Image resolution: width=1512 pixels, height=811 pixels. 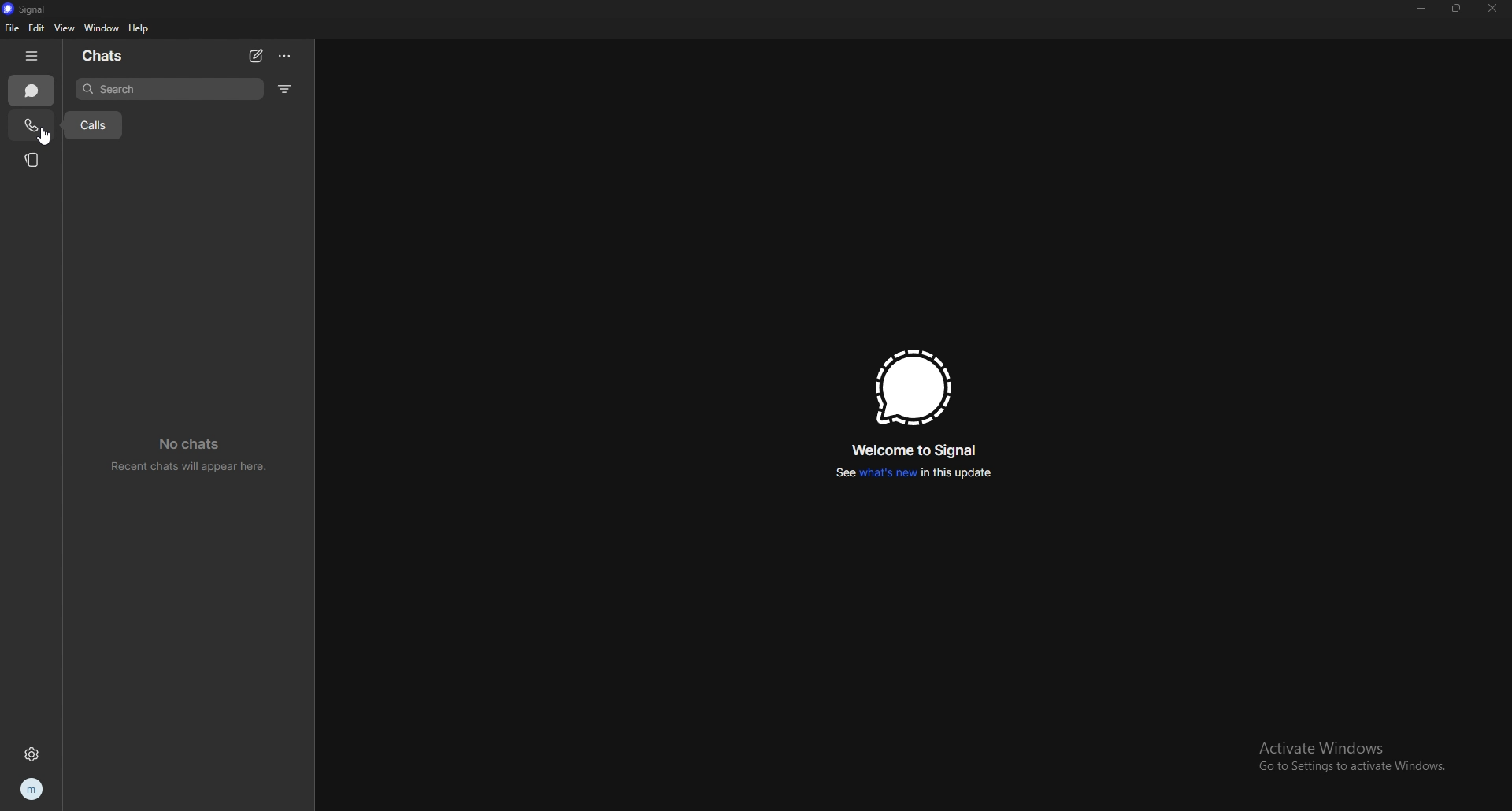 What do you see at coordinates (37, 28) in the screenshot?
I see `edit` at bounding box center [37, 28].